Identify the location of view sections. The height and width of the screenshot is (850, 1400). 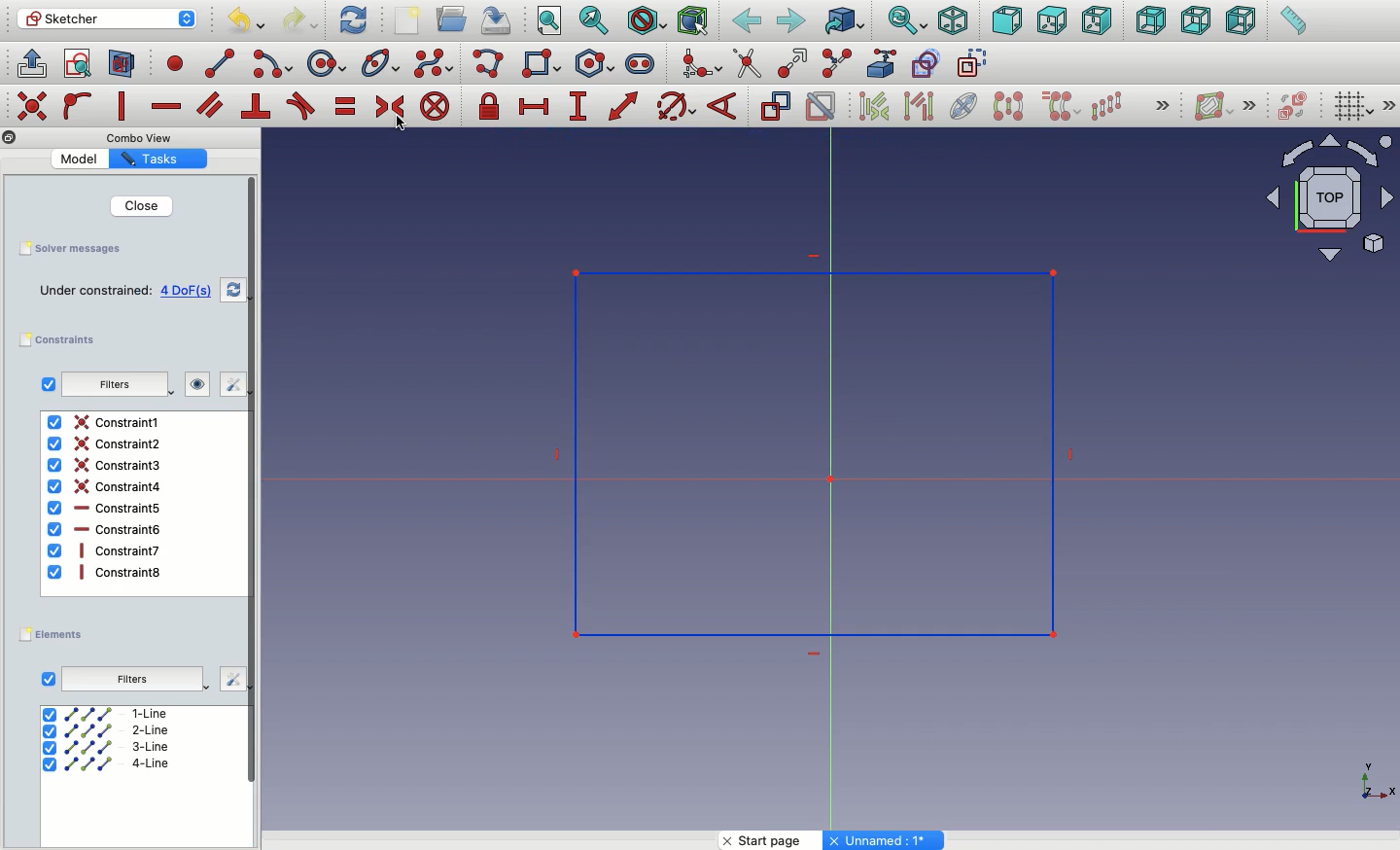
(126, 65).